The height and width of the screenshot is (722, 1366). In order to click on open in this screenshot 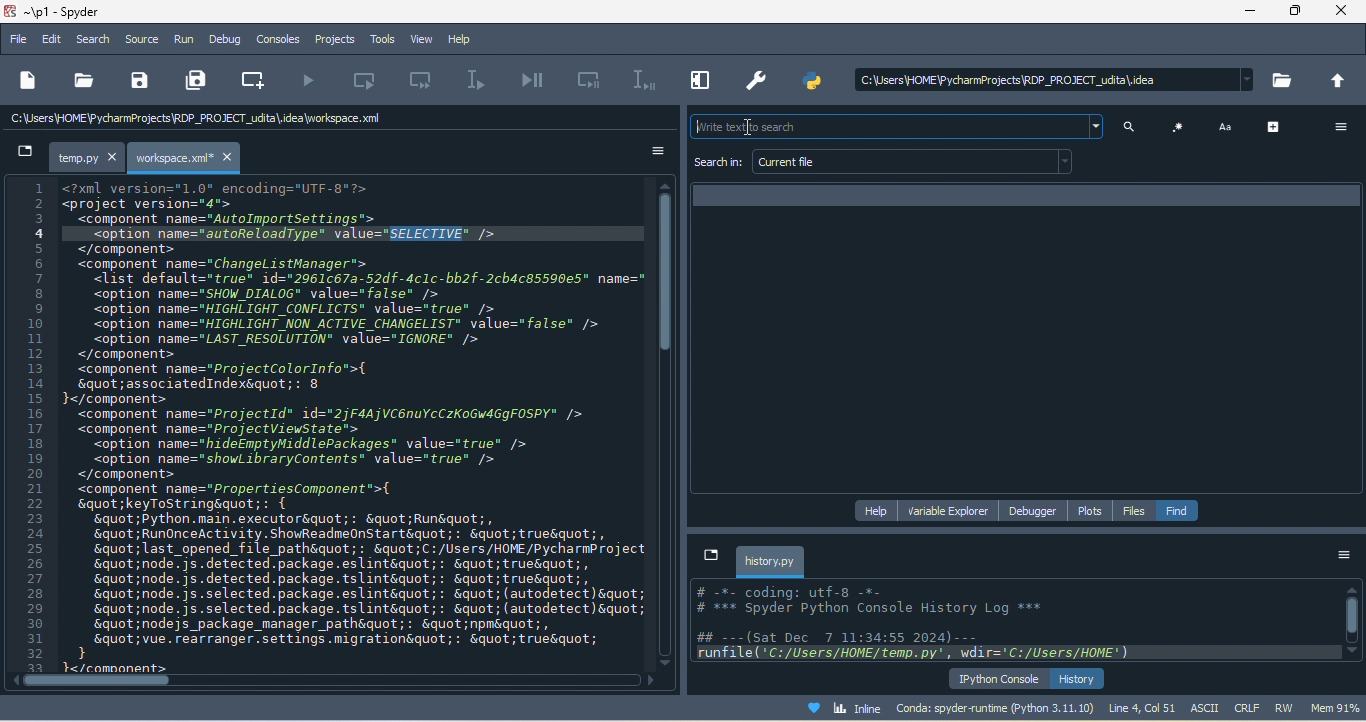, I will do `click(83, 80)`.